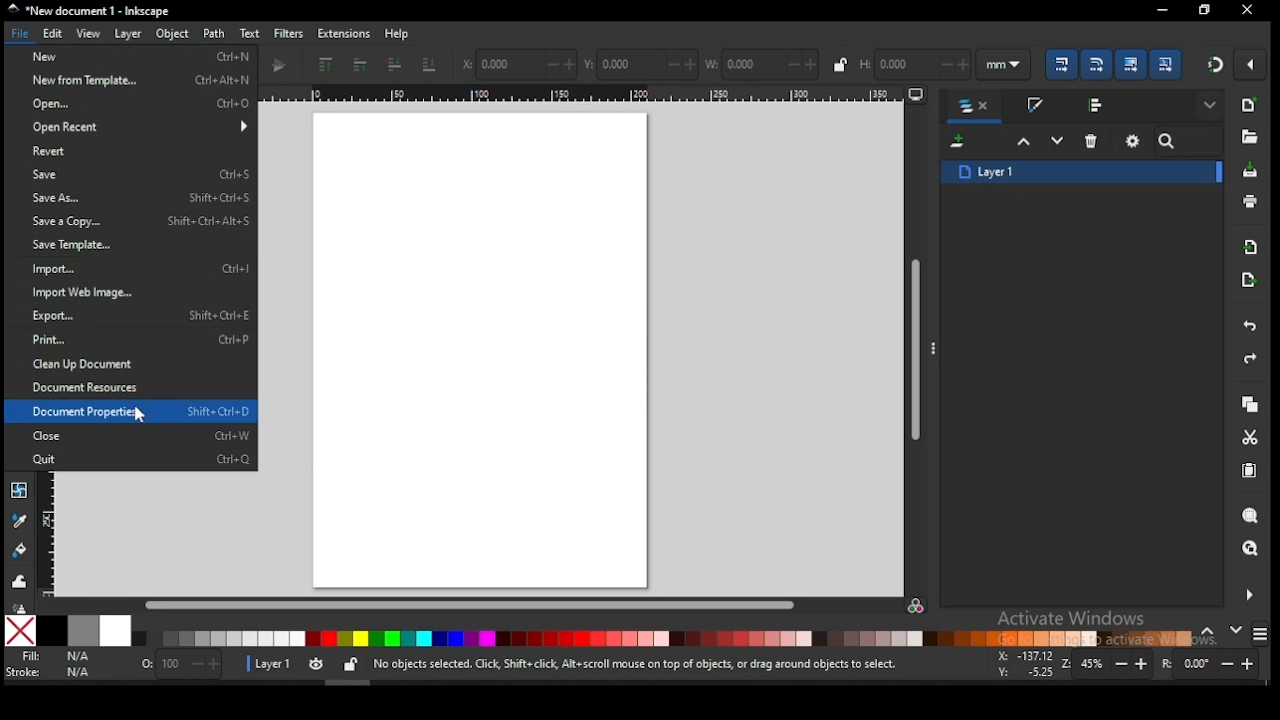 The image size is (1280, 720). What do you see at coordinates (1250, 327) in the screenshot?
I see `undo` at bounding box center [1250, 327].